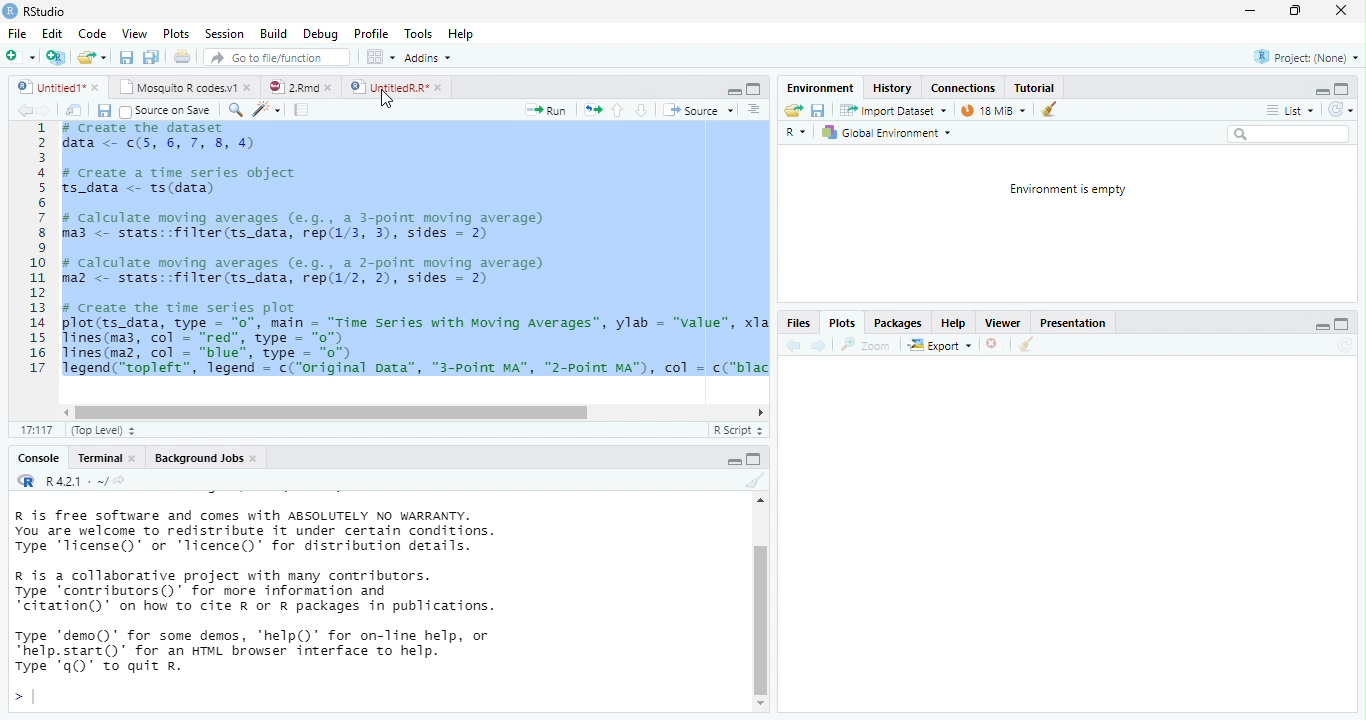  What do you see at coordinates (819, 111) in the screenshot?
I see `save current document` at bounding box center [819, 111].